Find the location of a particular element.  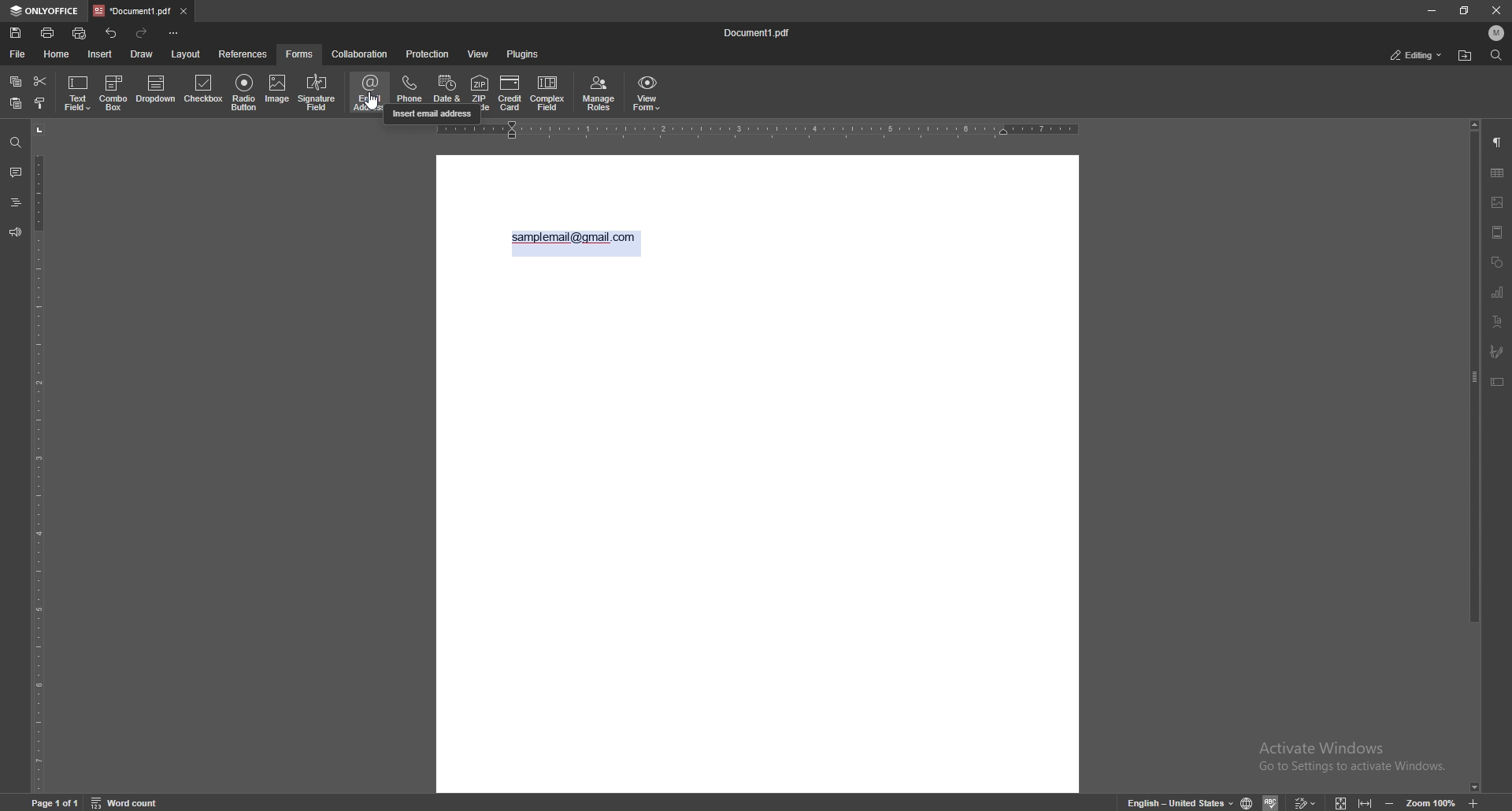

signature field is located at coordinates (1497, 352).